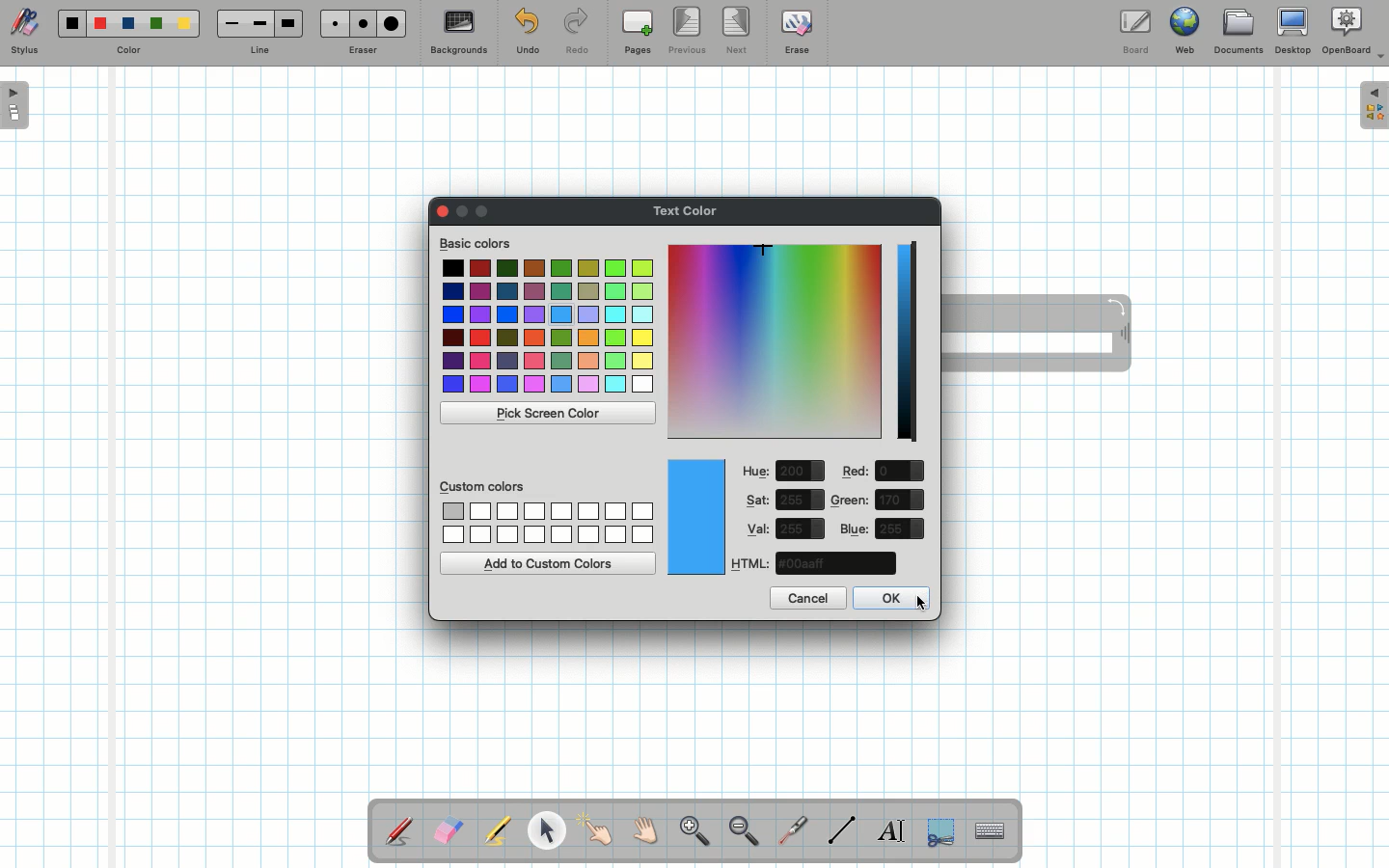 The image size is (1389, 868). Describe the element at coordinates (1374, 105) in the screenshot. I see `Expand` at that location.